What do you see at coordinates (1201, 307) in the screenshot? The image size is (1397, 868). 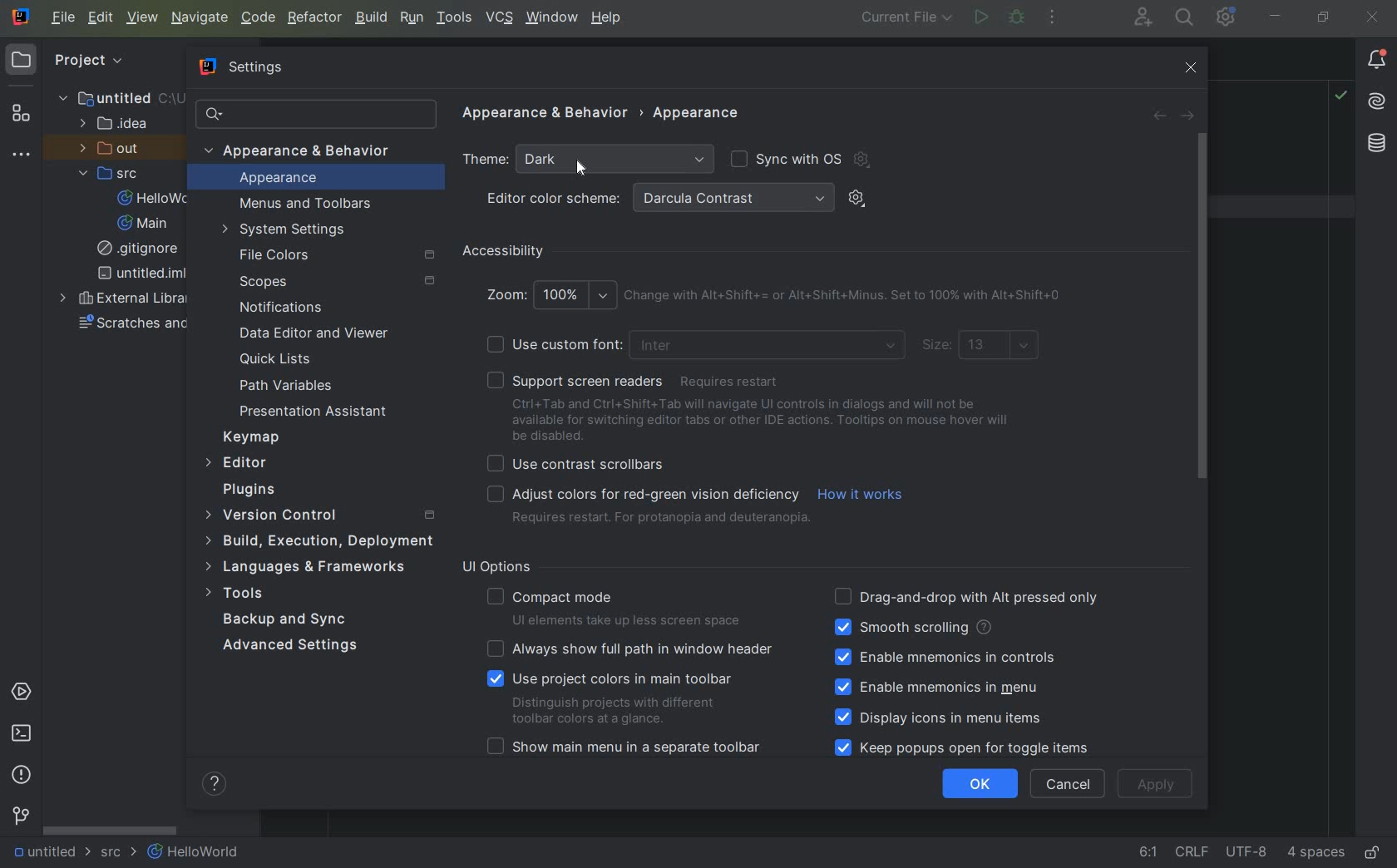 I see `scrollbar` at bounding box center [1201, 307].